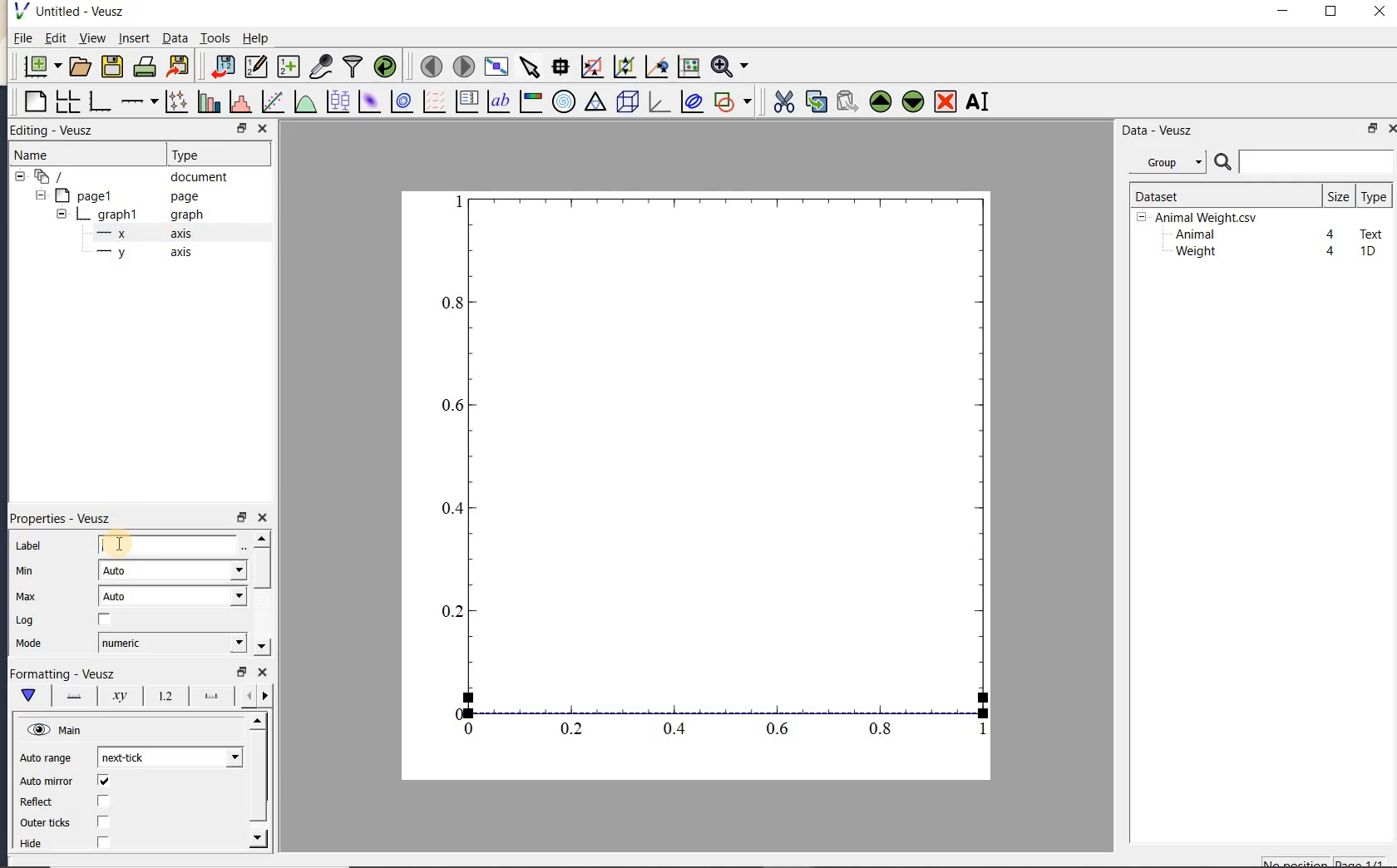 This screenshot has height=868, width=1397. I want to click on close, so click(1380, 12).